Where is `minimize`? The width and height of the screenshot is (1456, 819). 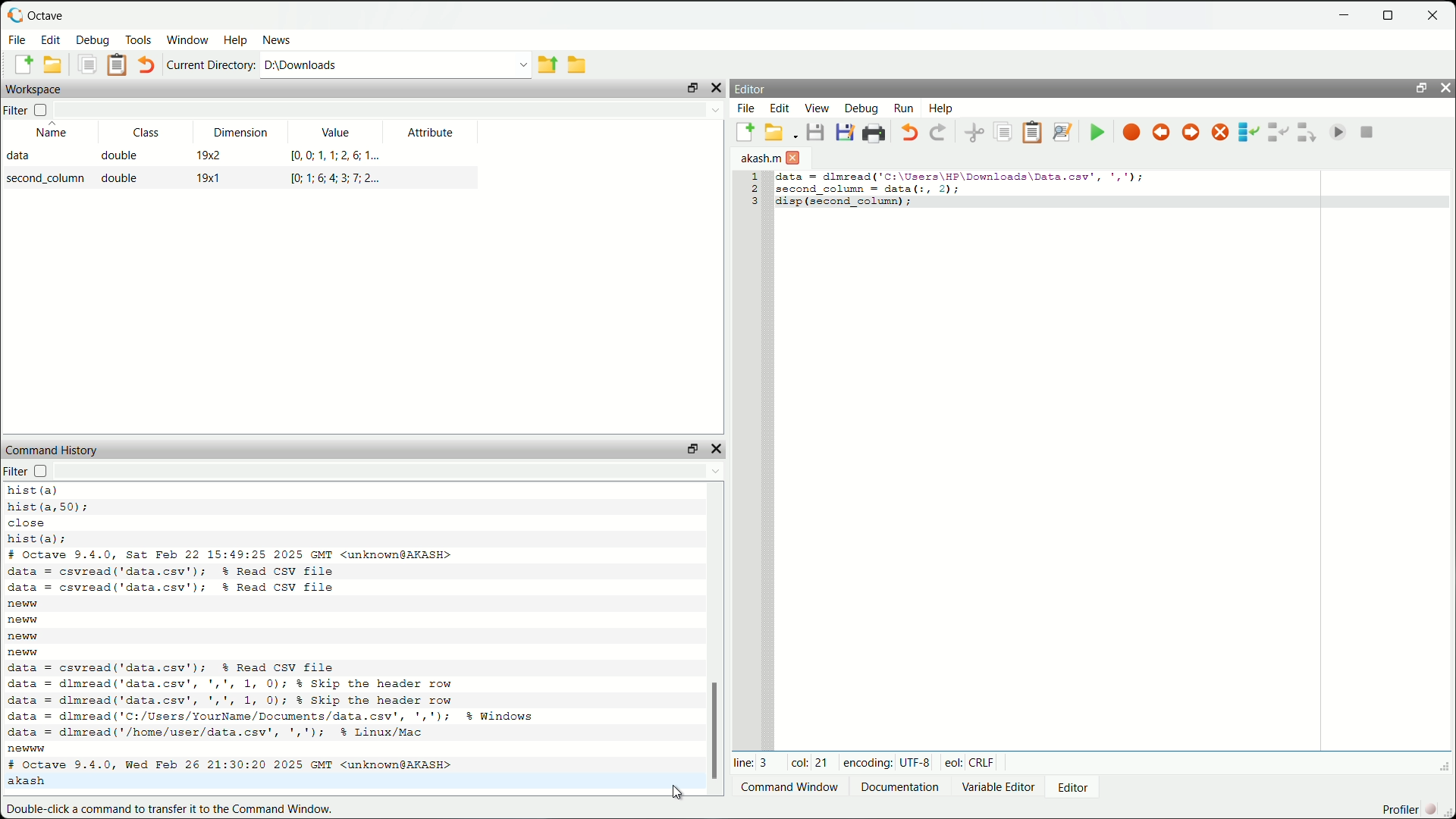
minimize is located at coordinates (1345, 11).